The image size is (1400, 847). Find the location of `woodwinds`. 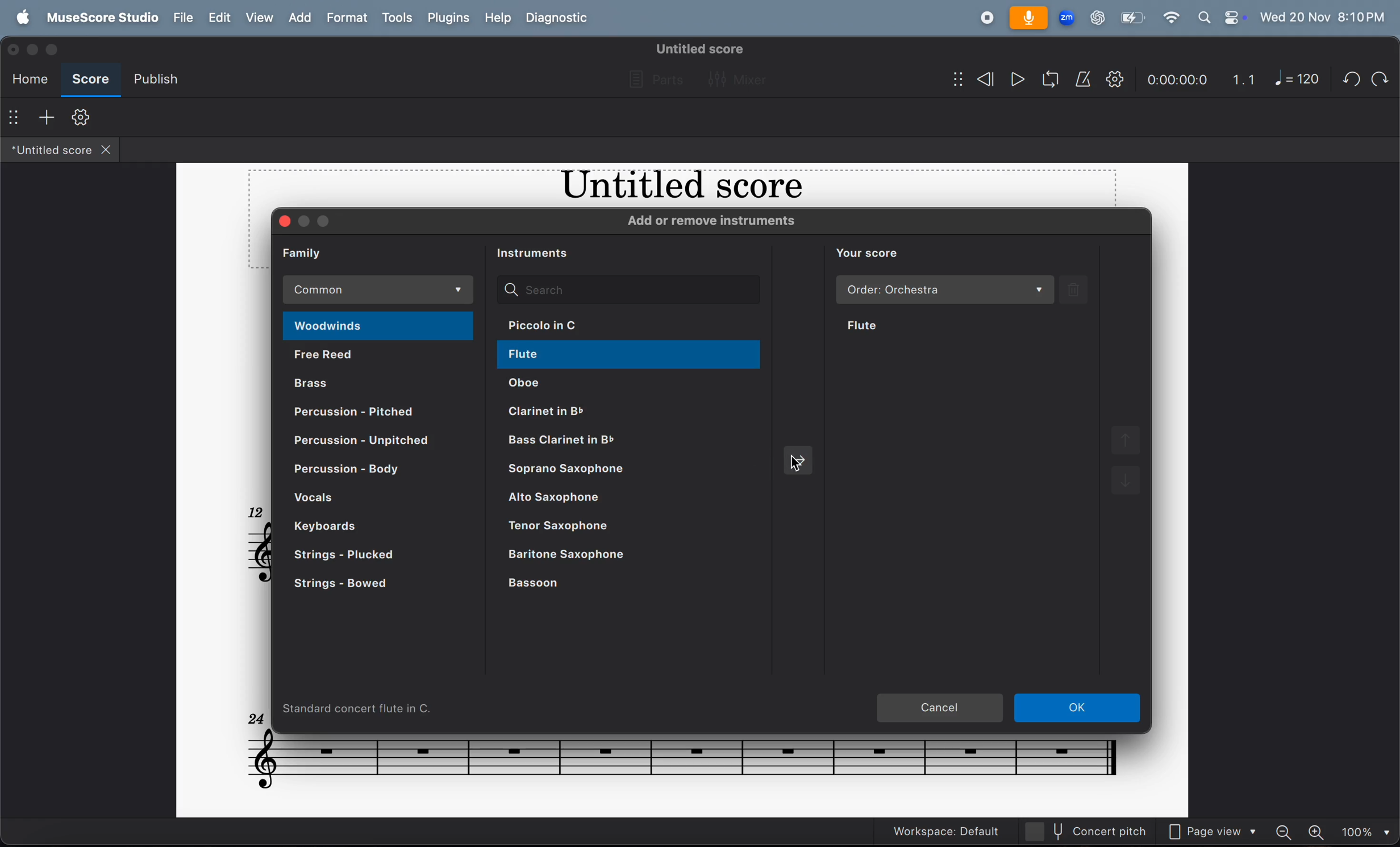

woodwinds is located at coordinates (380, 325).